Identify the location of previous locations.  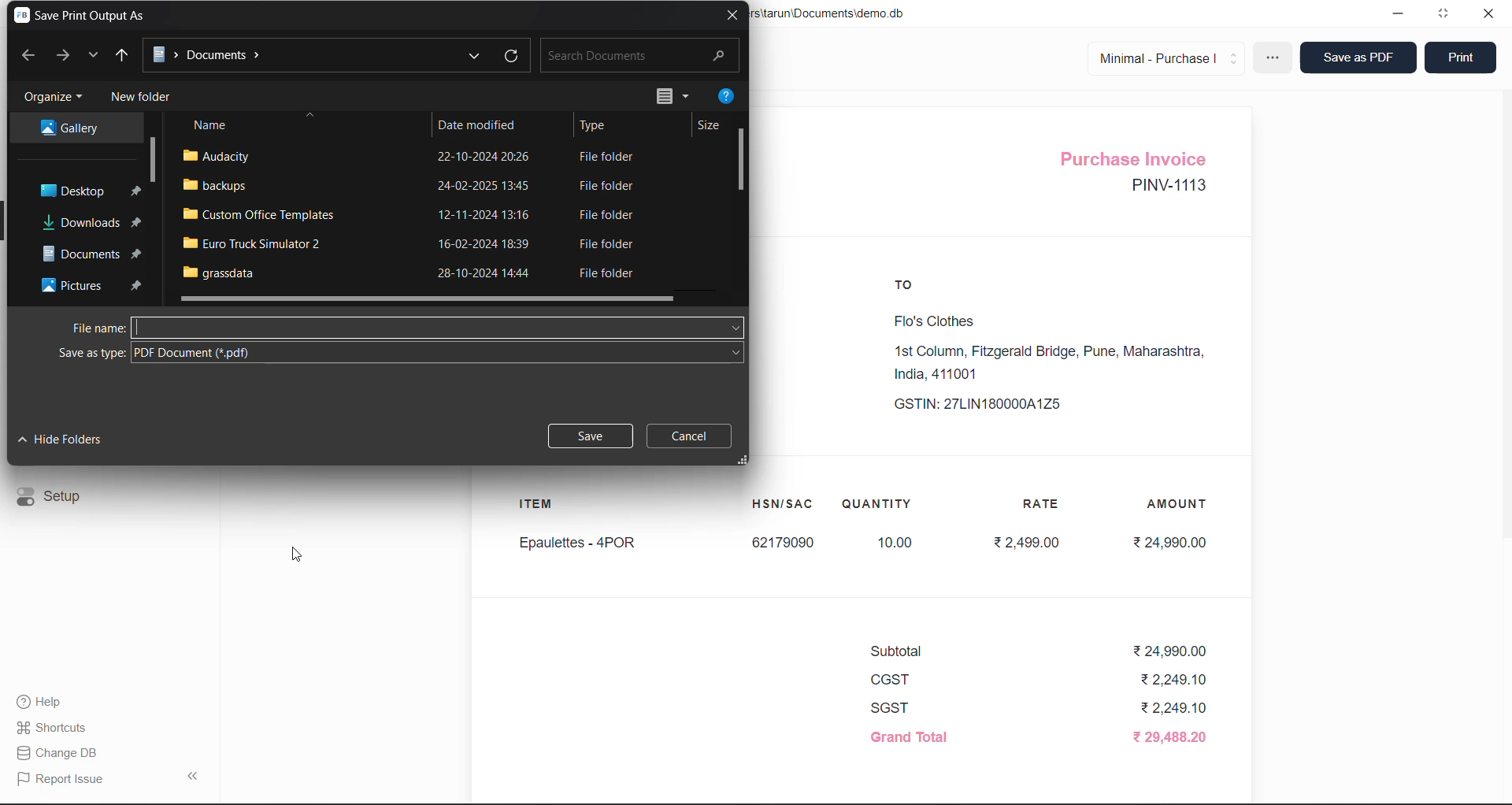
(476, 55).